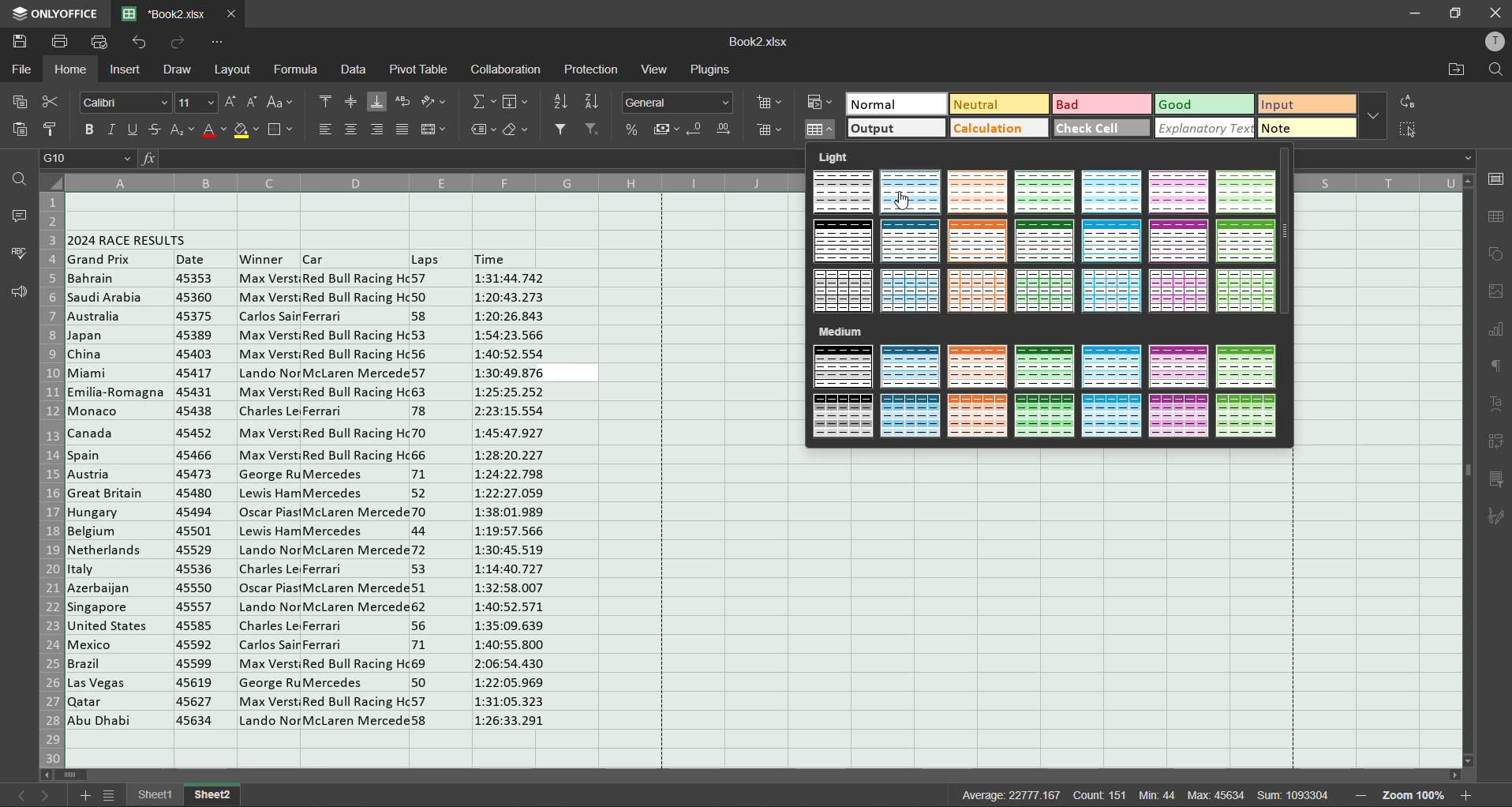 This screenshot has width=1512, height=807. Describe the element at coordinates (1496, 405) in the screenshot. I see `text` at that location.